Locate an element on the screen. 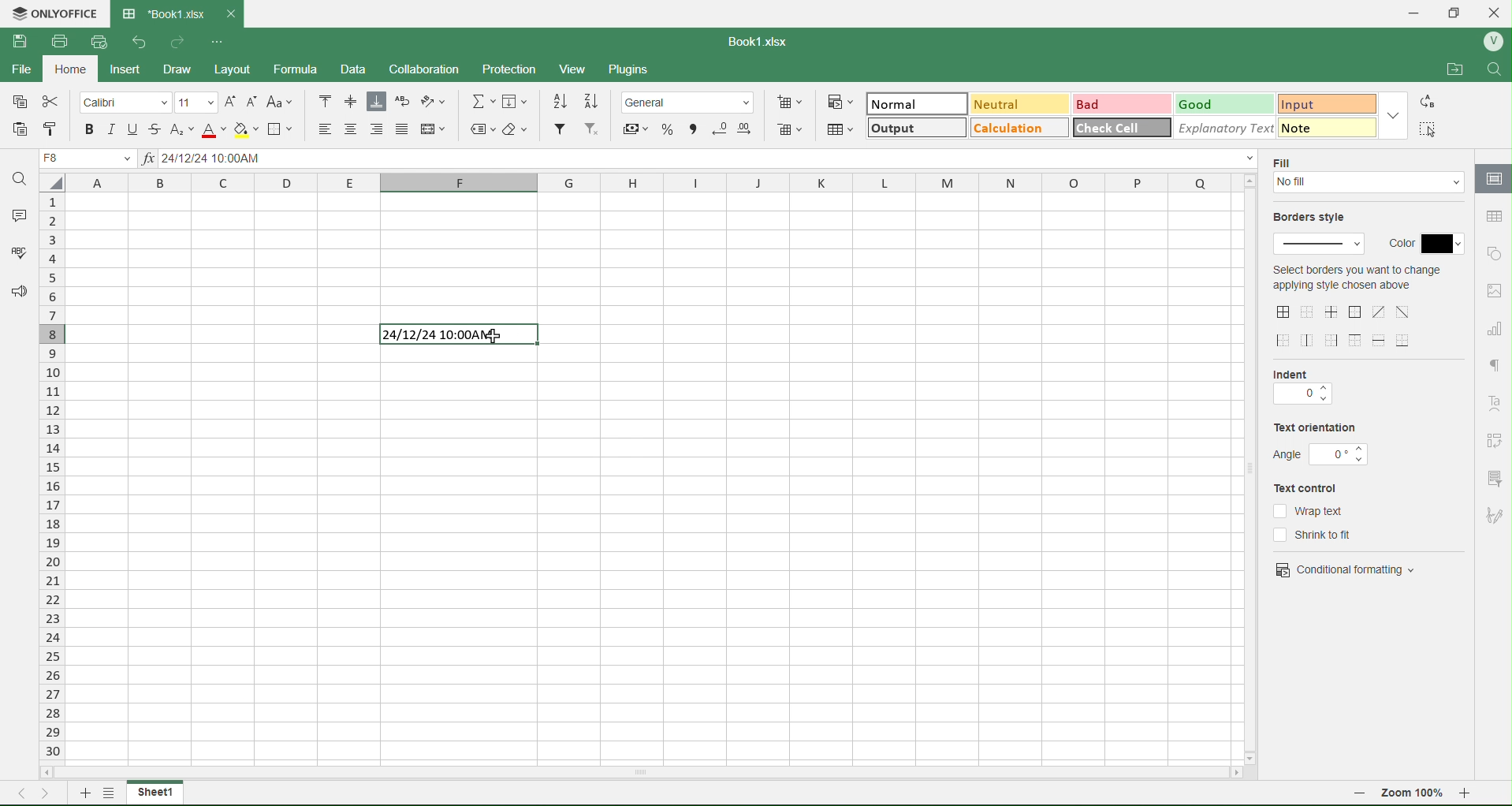 The width and height of the screenshot is (1512, 806). Customize Quick Access Toolbar is located at coordinates (217, 39).